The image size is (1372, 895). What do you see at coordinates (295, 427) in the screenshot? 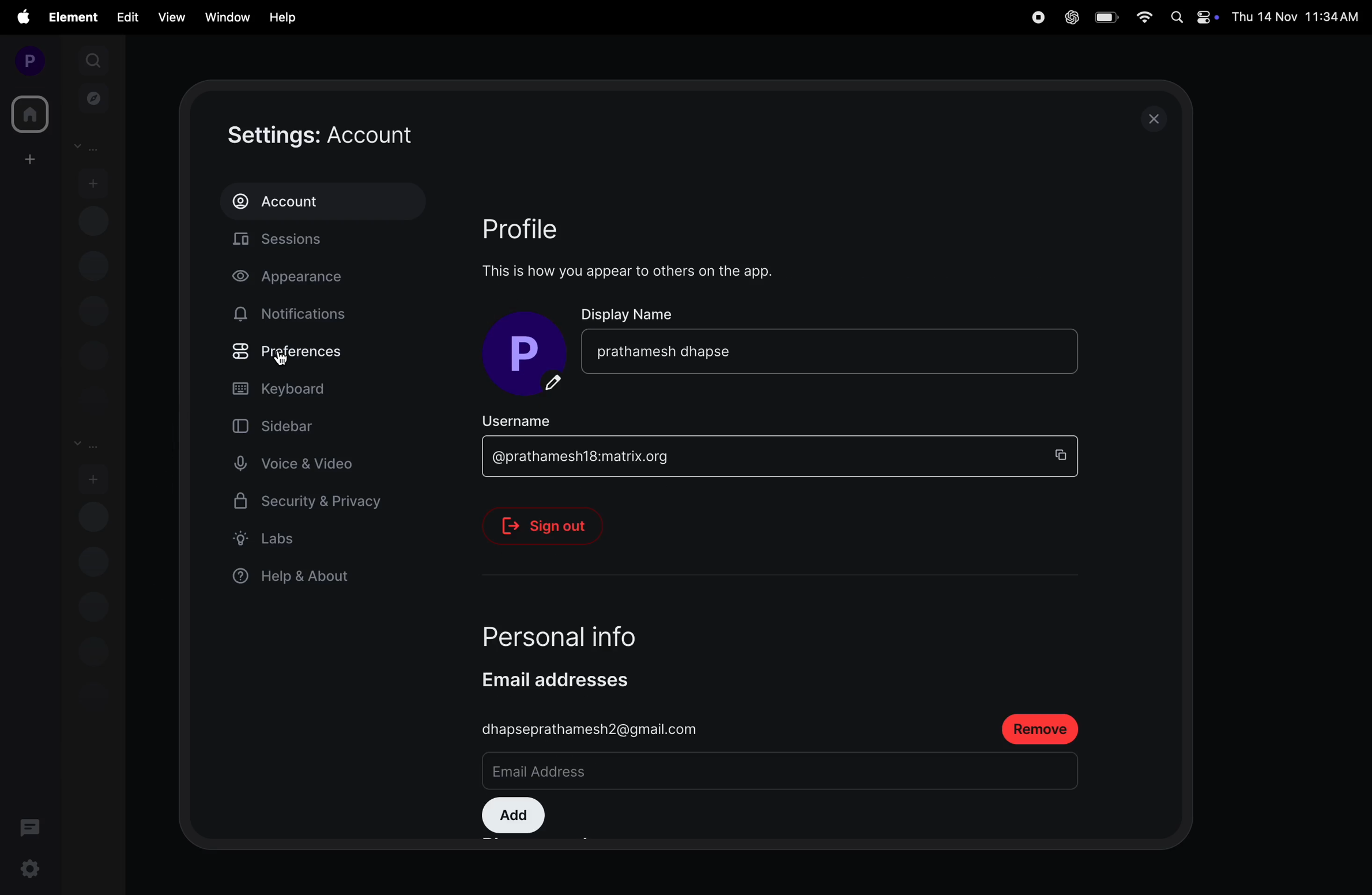
I see `sidebar` at bounding box center [295, 427].